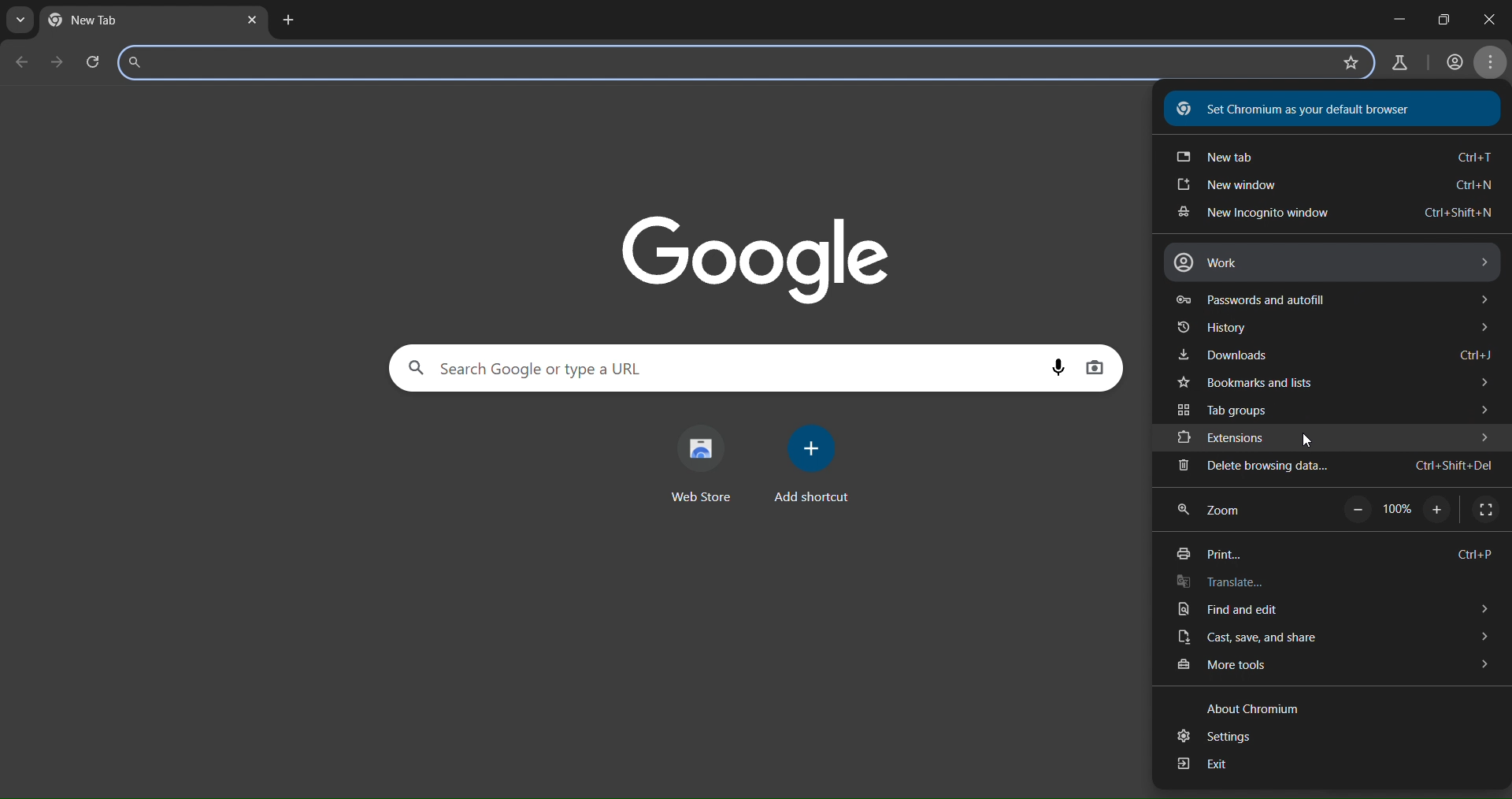 This screenshot has width=1512, height=799. I want to click on add shortcut, so click(811, 464).